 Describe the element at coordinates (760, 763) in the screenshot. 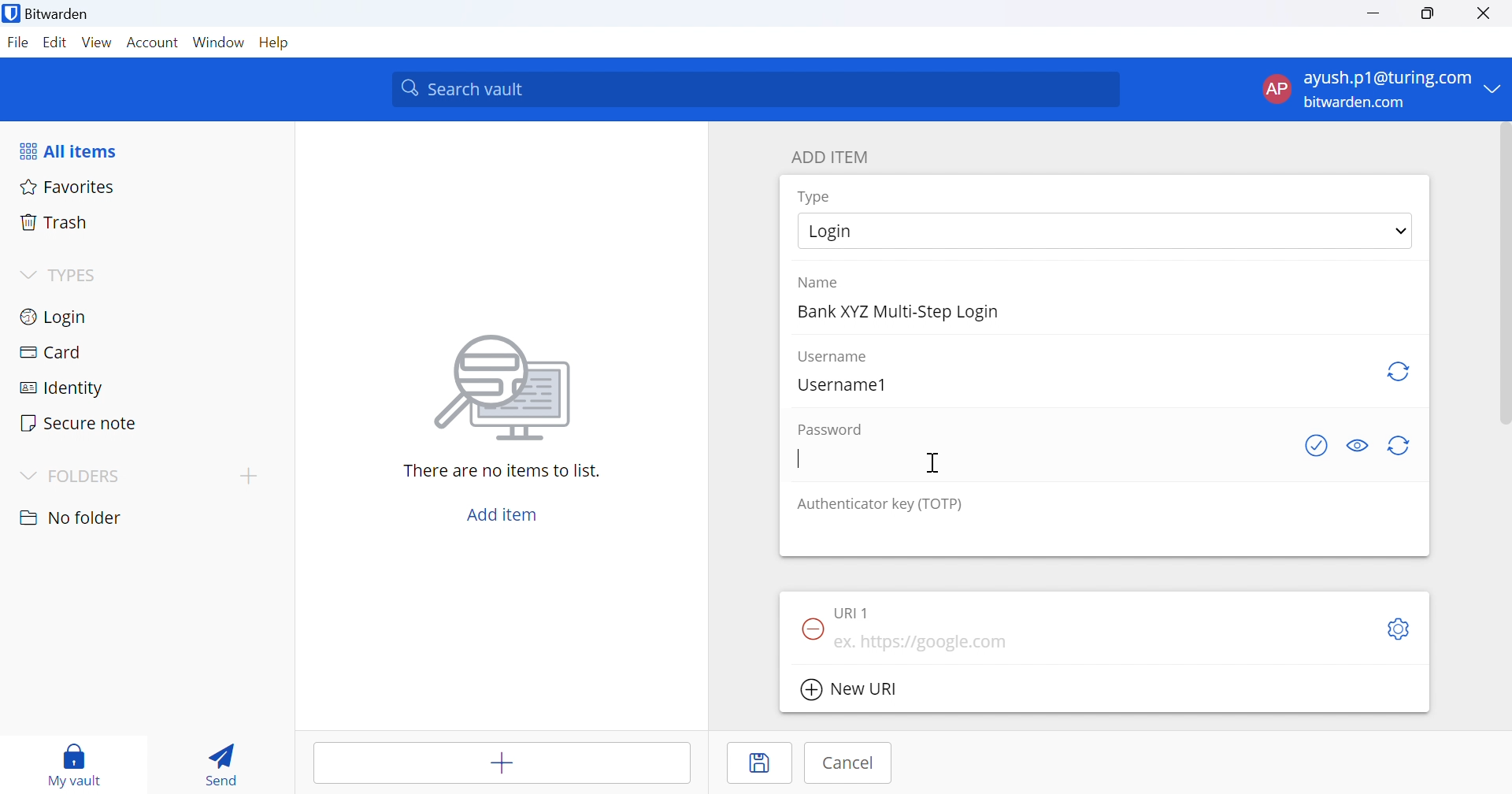

I see `Save` at that location.